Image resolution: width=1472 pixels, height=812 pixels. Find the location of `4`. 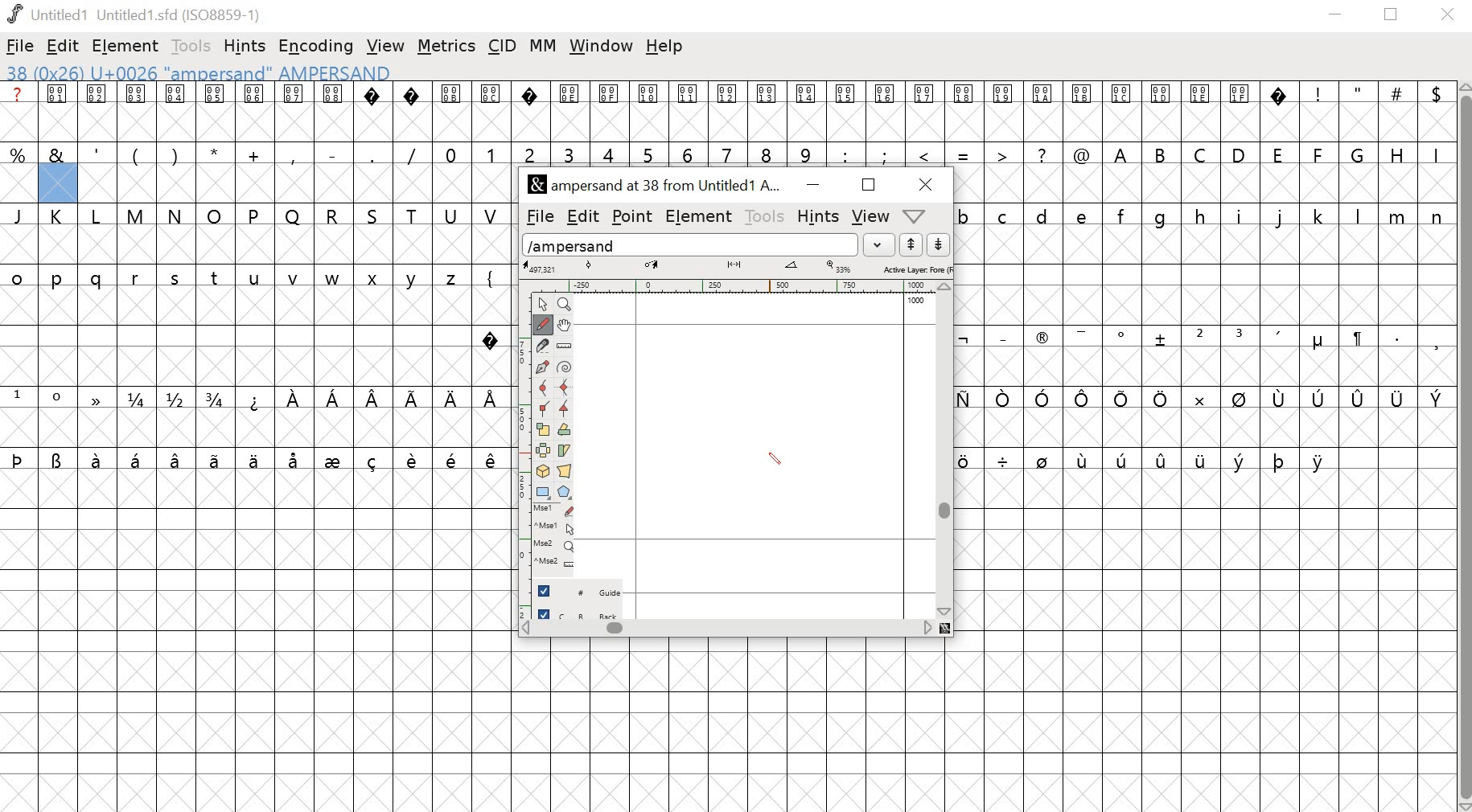

4 is located at coordinates (611, 154).